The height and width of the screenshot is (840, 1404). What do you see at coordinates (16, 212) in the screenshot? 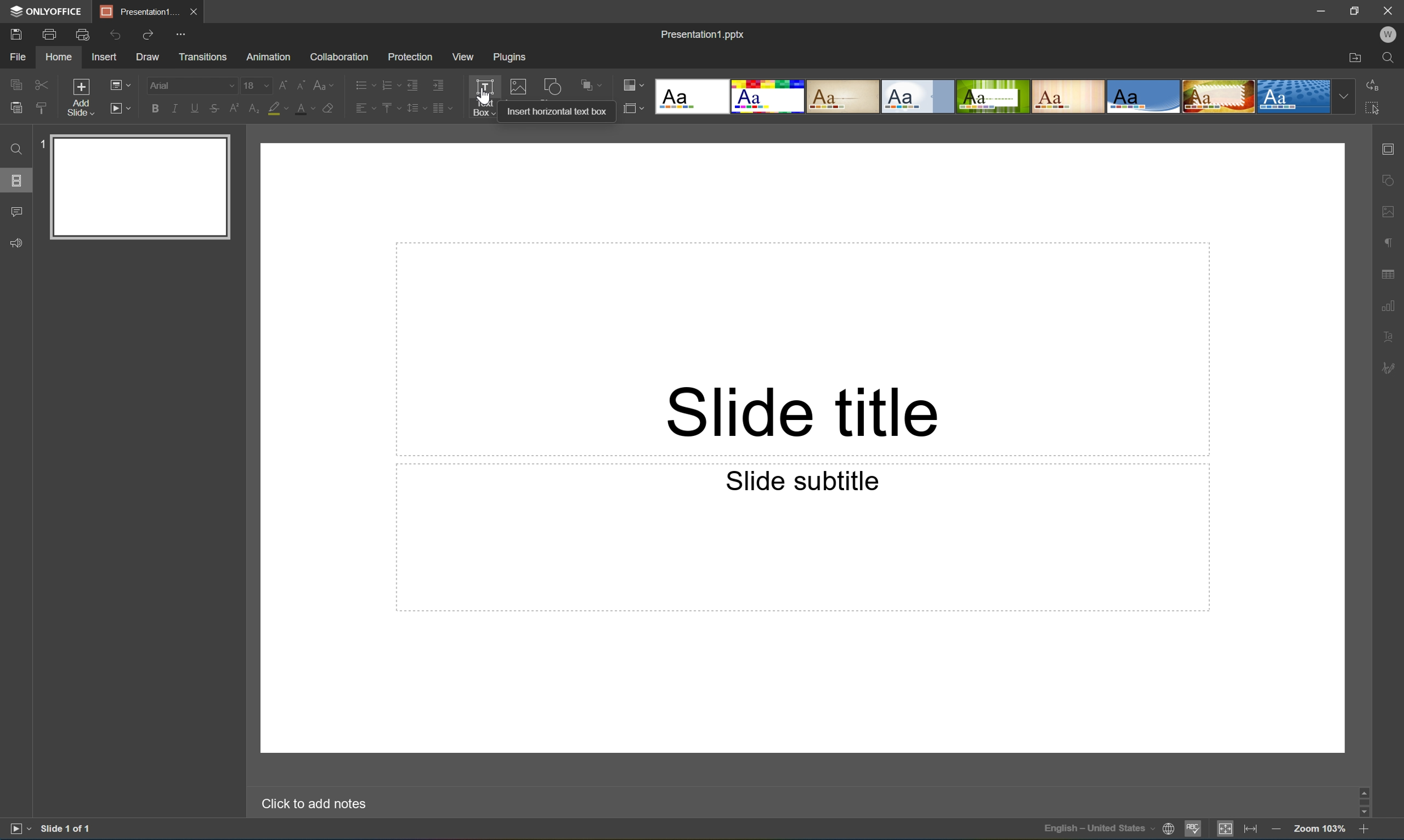
I see `Comments` at bounding box center [16, 212].